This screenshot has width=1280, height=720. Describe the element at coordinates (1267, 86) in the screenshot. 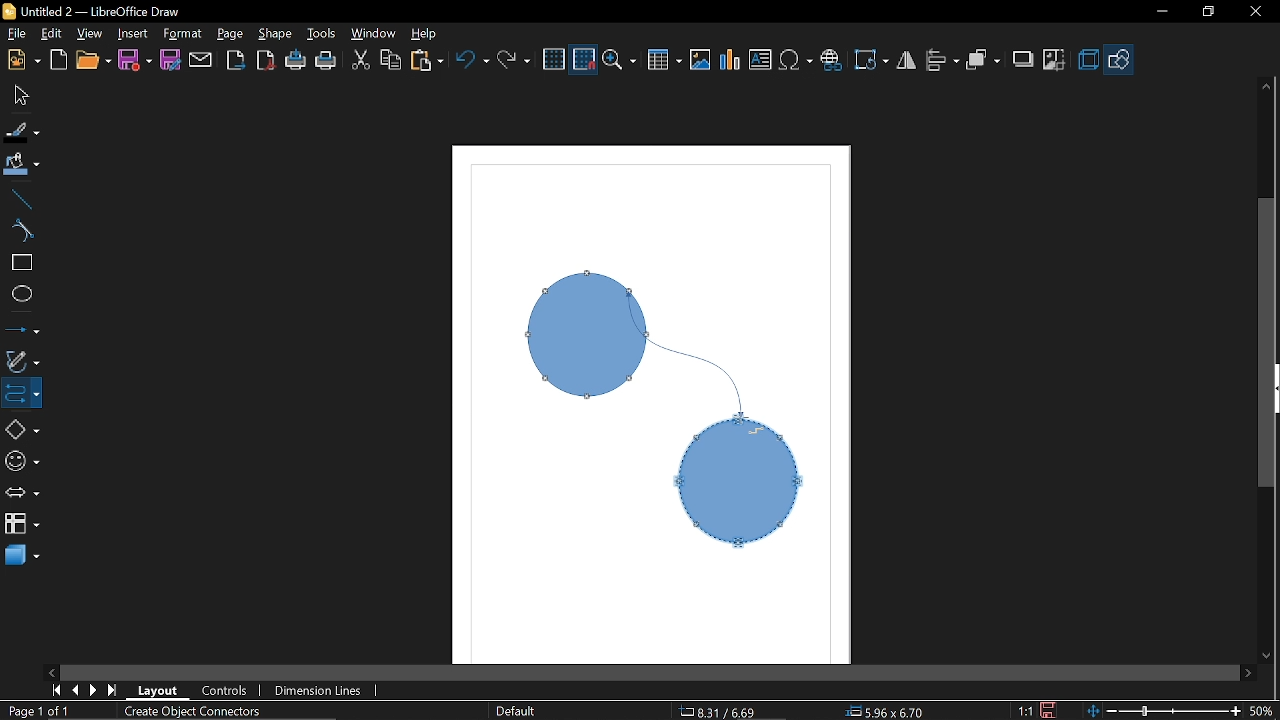

I see `Move up` at that location.